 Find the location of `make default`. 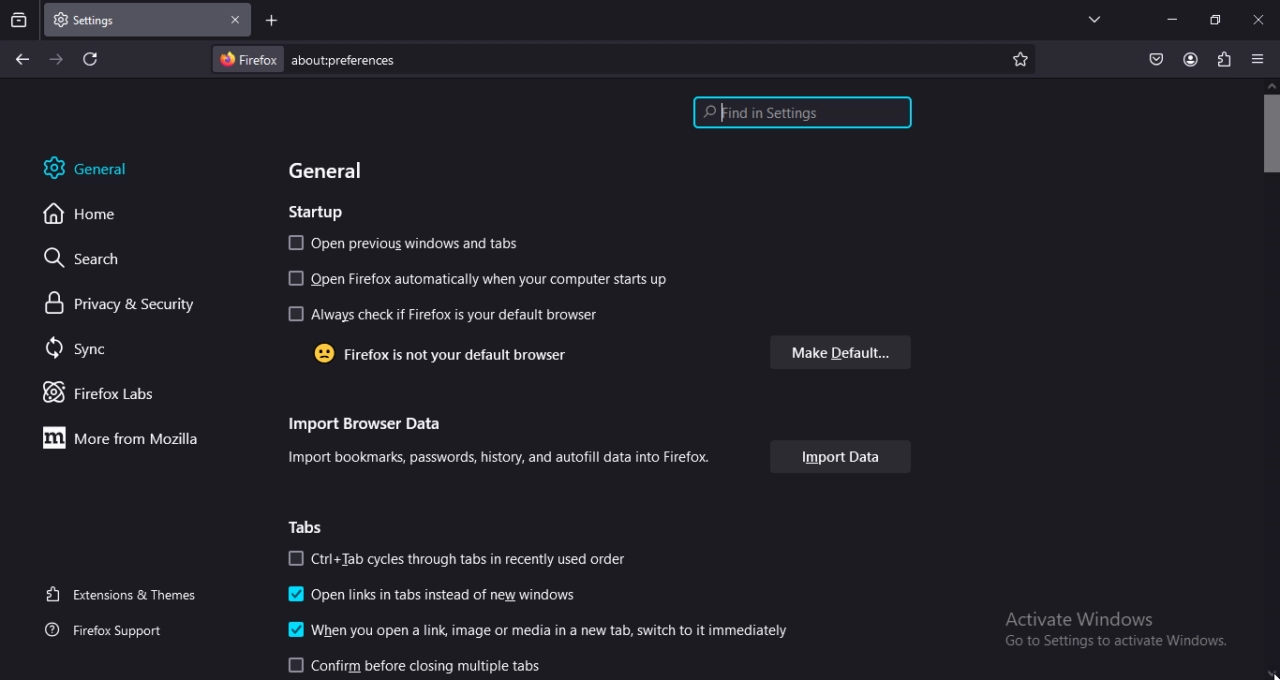

make default is located at coordinates (840, 352).